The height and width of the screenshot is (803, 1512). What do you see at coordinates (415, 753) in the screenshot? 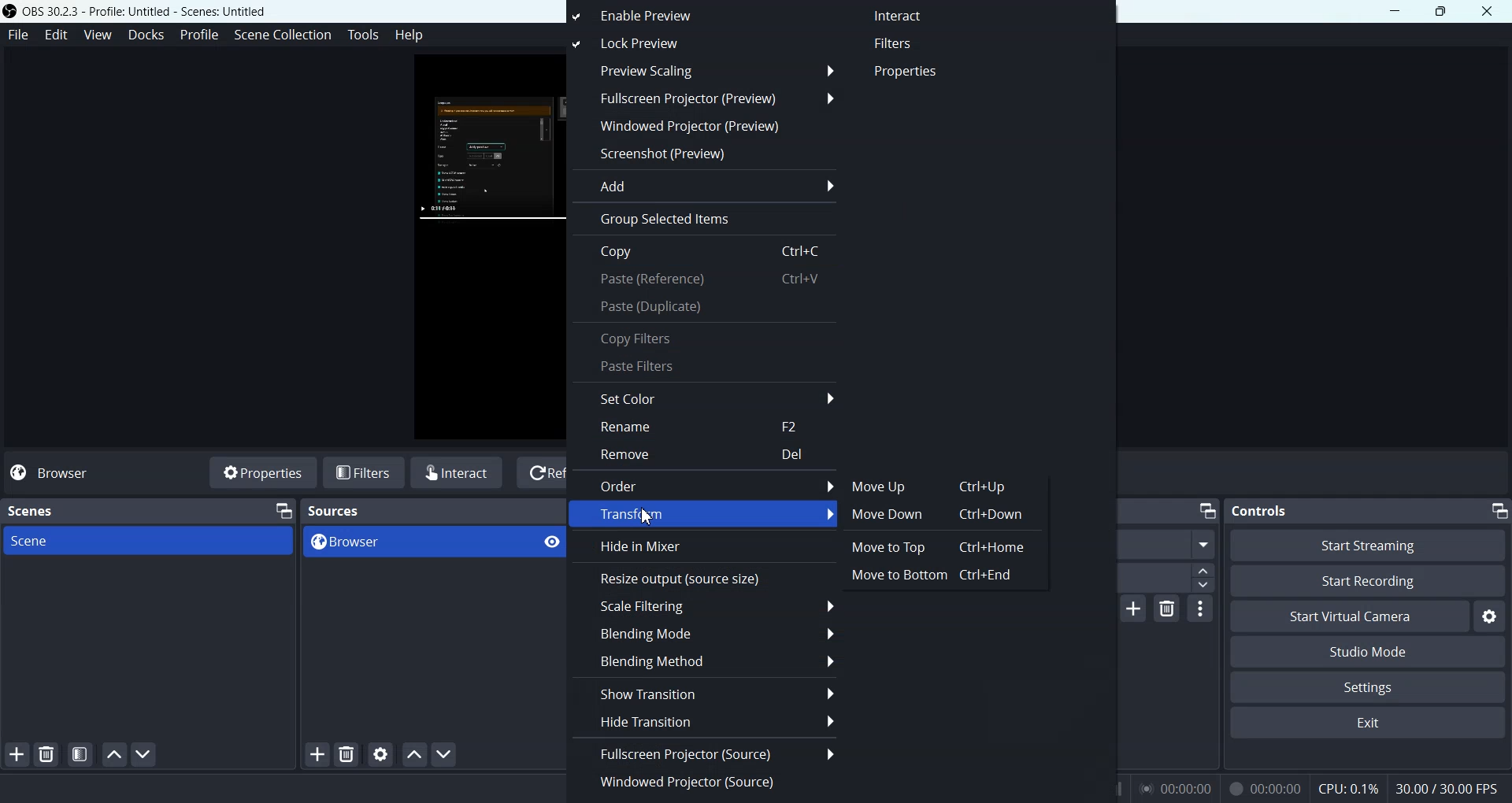
I see `Move Scene Up` at bounding box center [415, 753].